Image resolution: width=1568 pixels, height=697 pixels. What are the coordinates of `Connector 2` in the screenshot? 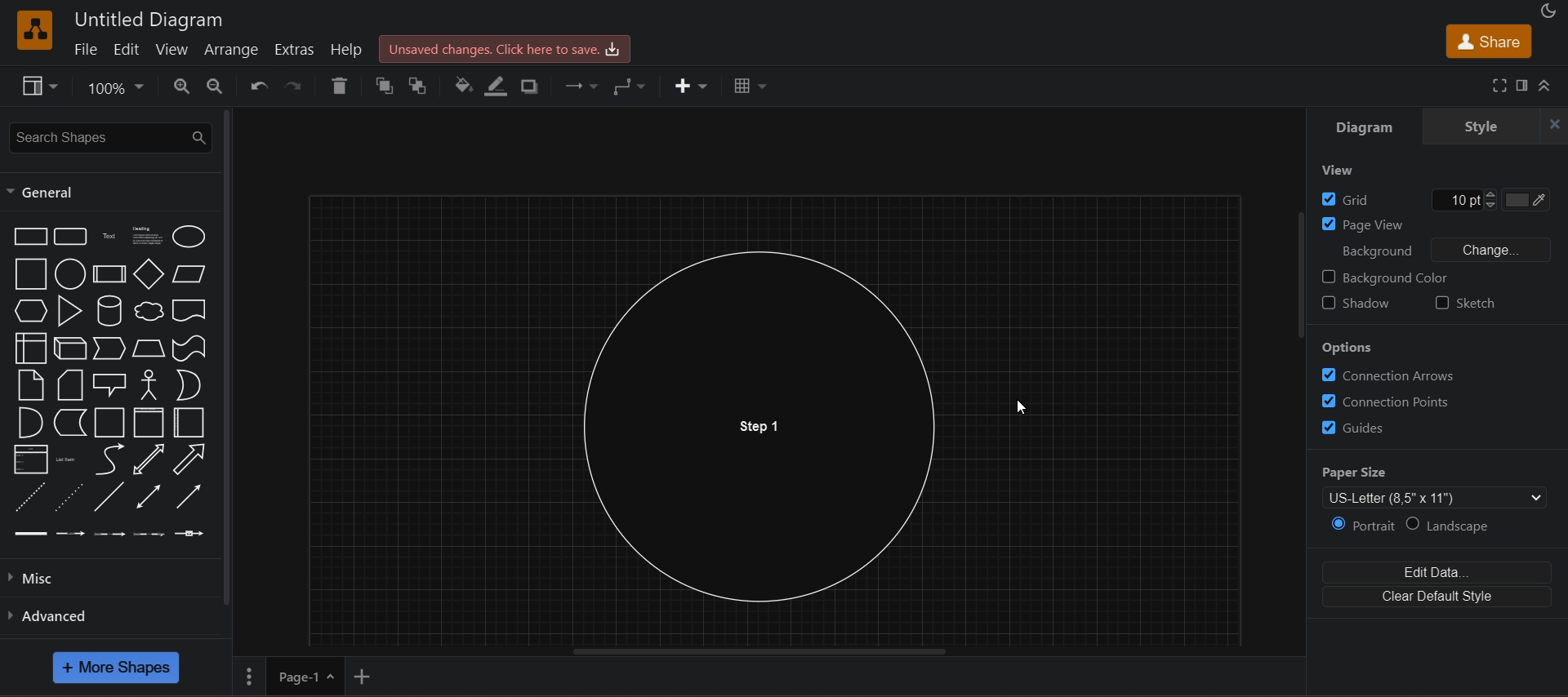 It's located at (71, 534).